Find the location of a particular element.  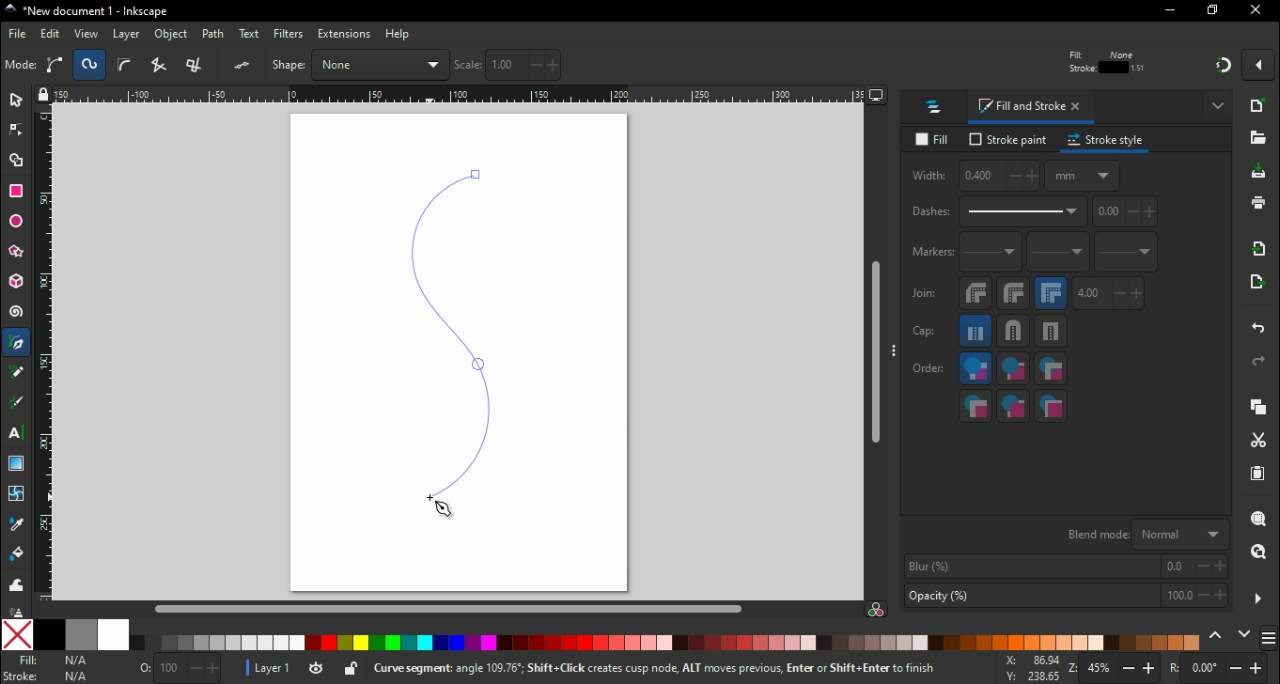

cursor coordinates is located at coordinates (1028, 668).